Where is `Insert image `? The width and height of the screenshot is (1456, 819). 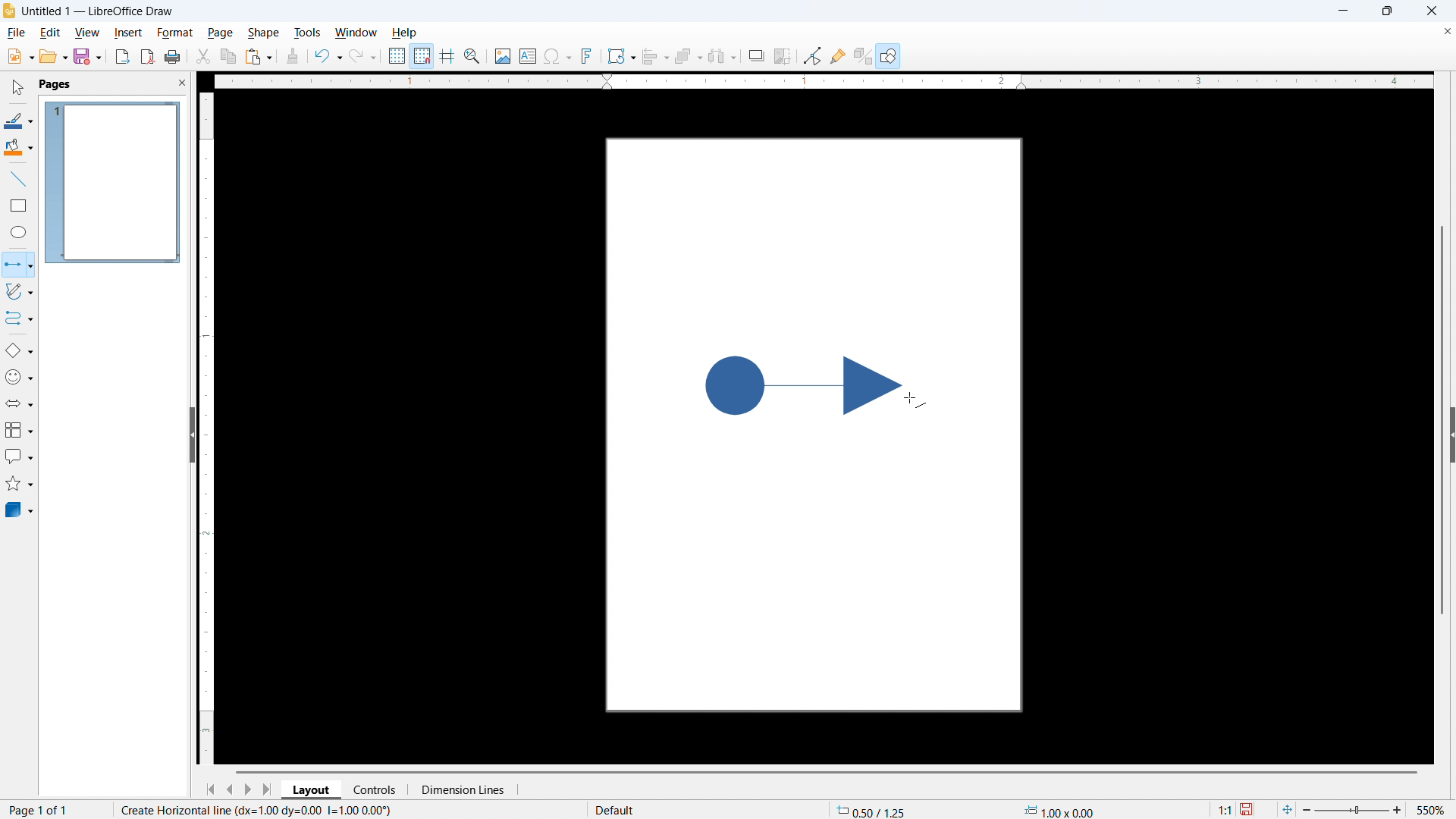
Insert image  is located at coordinates (504, 56).